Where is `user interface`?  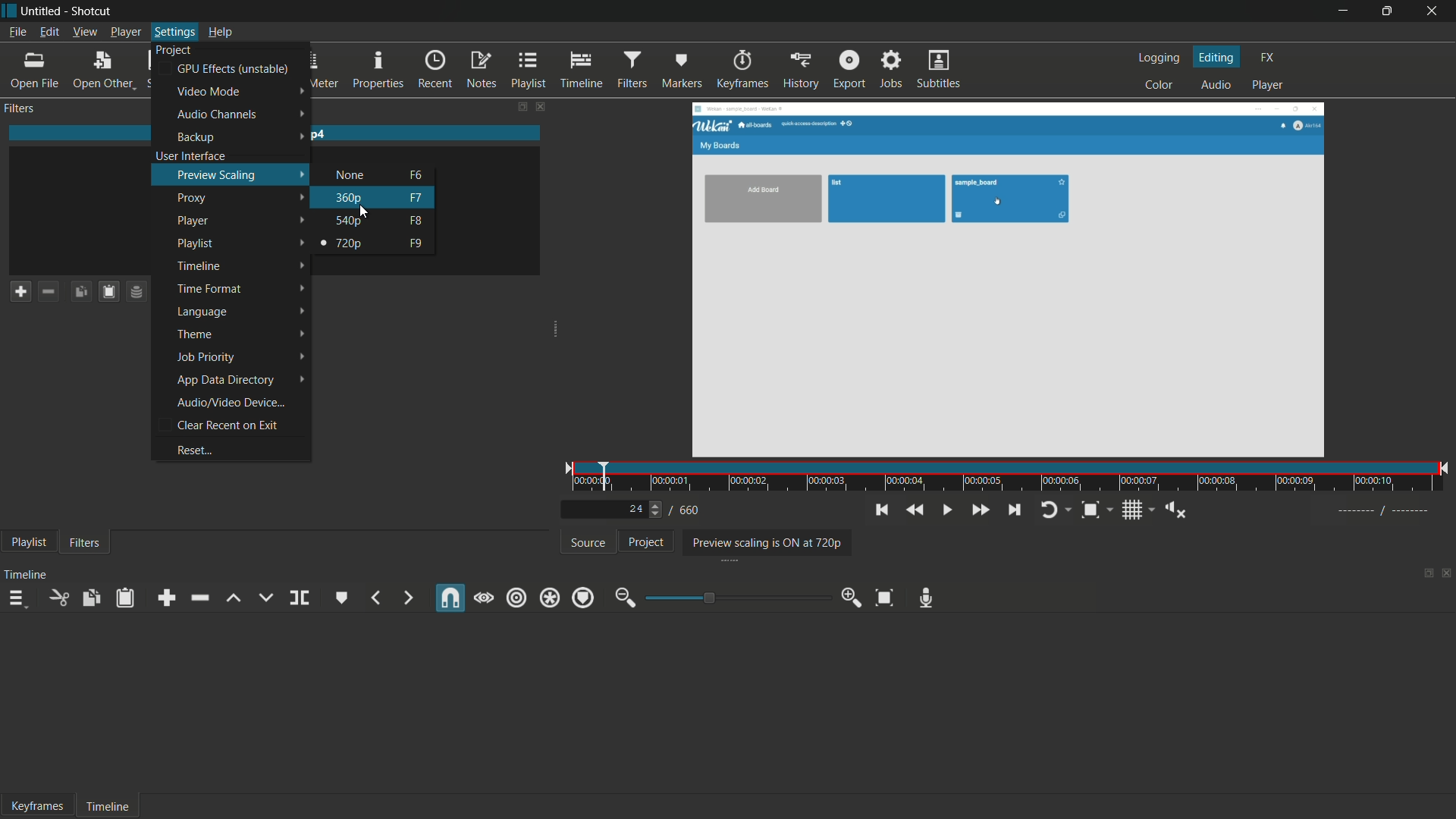 user interface is located at coordinates (190, 155).